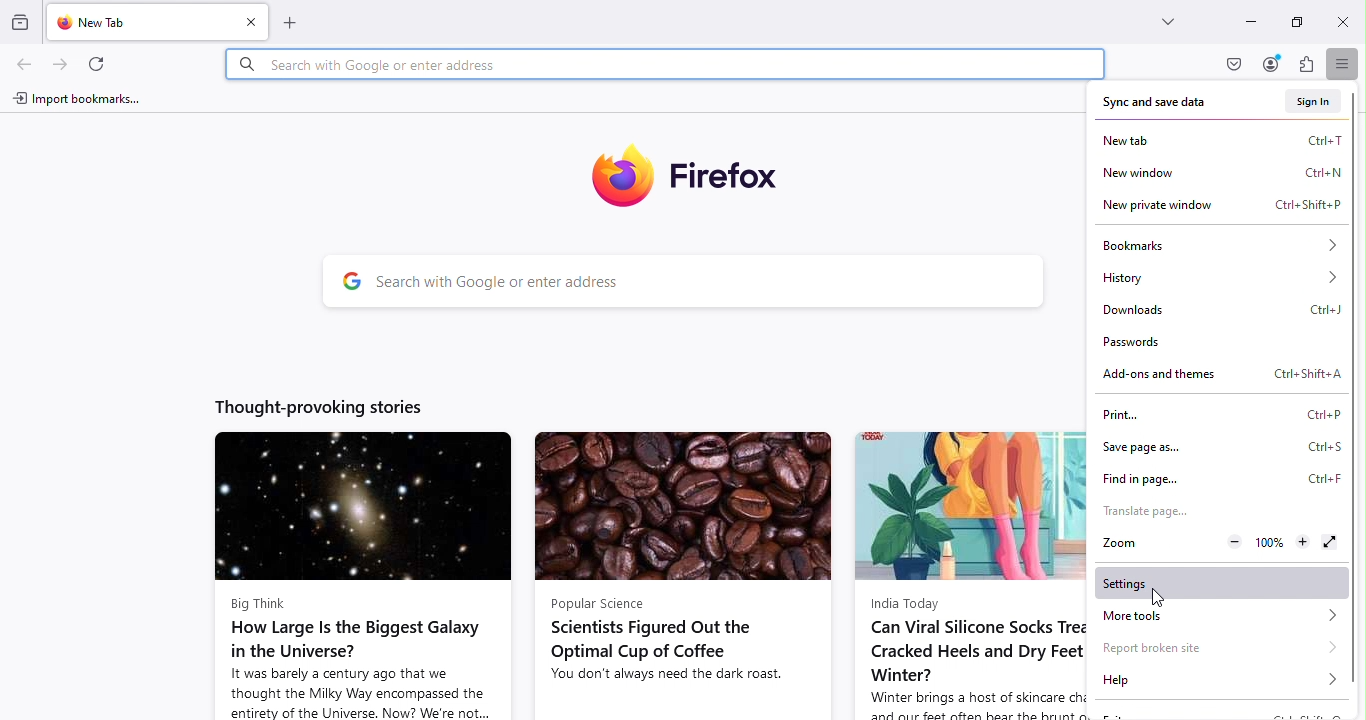 The height and width of the screenshot is (720, 1366). What do you see at coordinates (24, 65) in the screenshot?
I see `Go back one page` at bounding box center [24, 65].